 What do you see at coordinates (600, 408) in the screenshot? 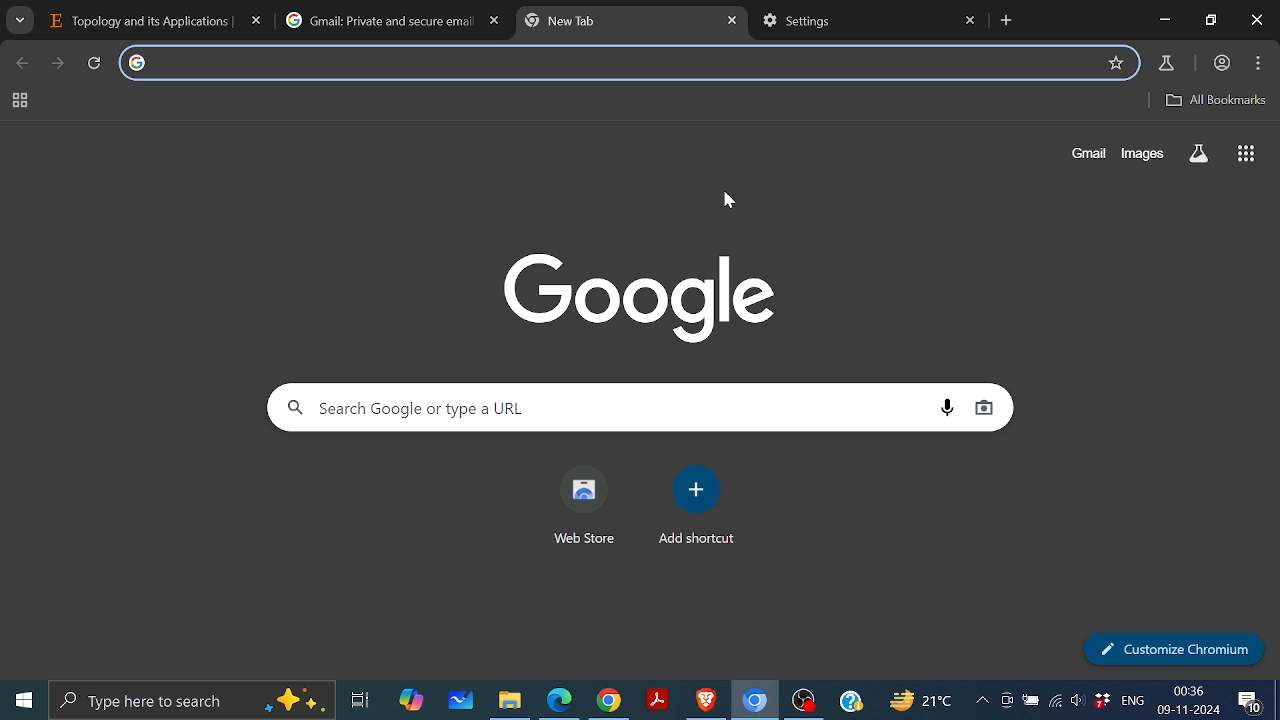
I see `Search Google or type a URL` at bounding box center [600, 408].